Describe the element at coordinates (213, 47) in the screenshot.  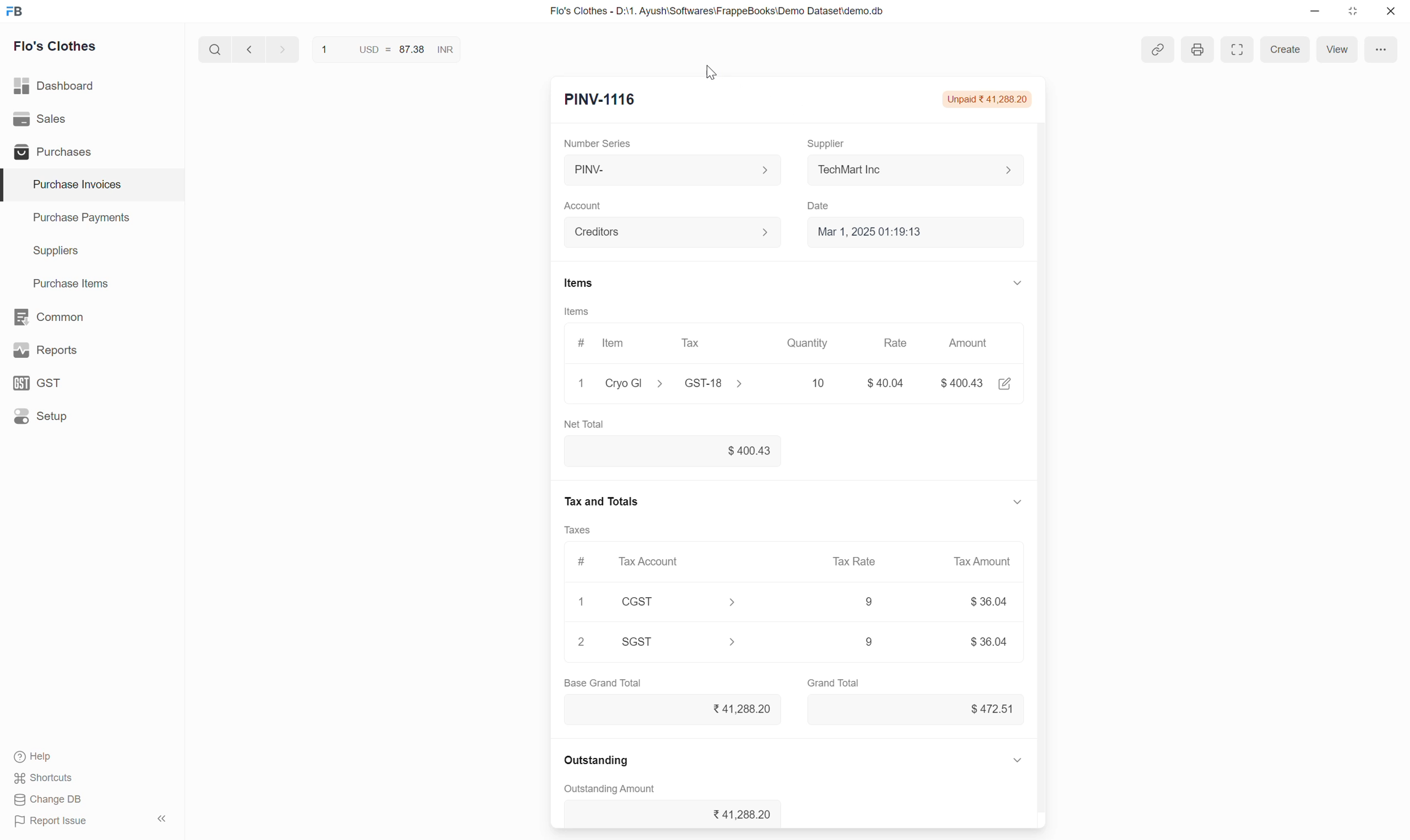
I see `search` at that location.